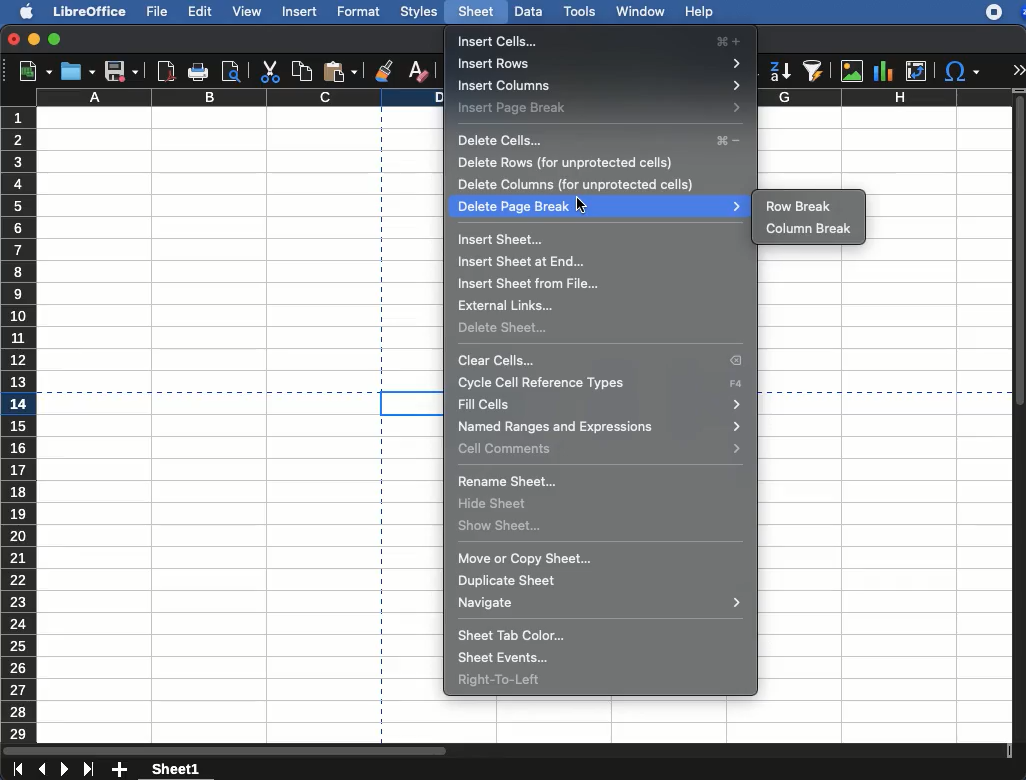 The width and height of the screenshot is (1026, 780). I want to click on last sheet, so click(91, 769).